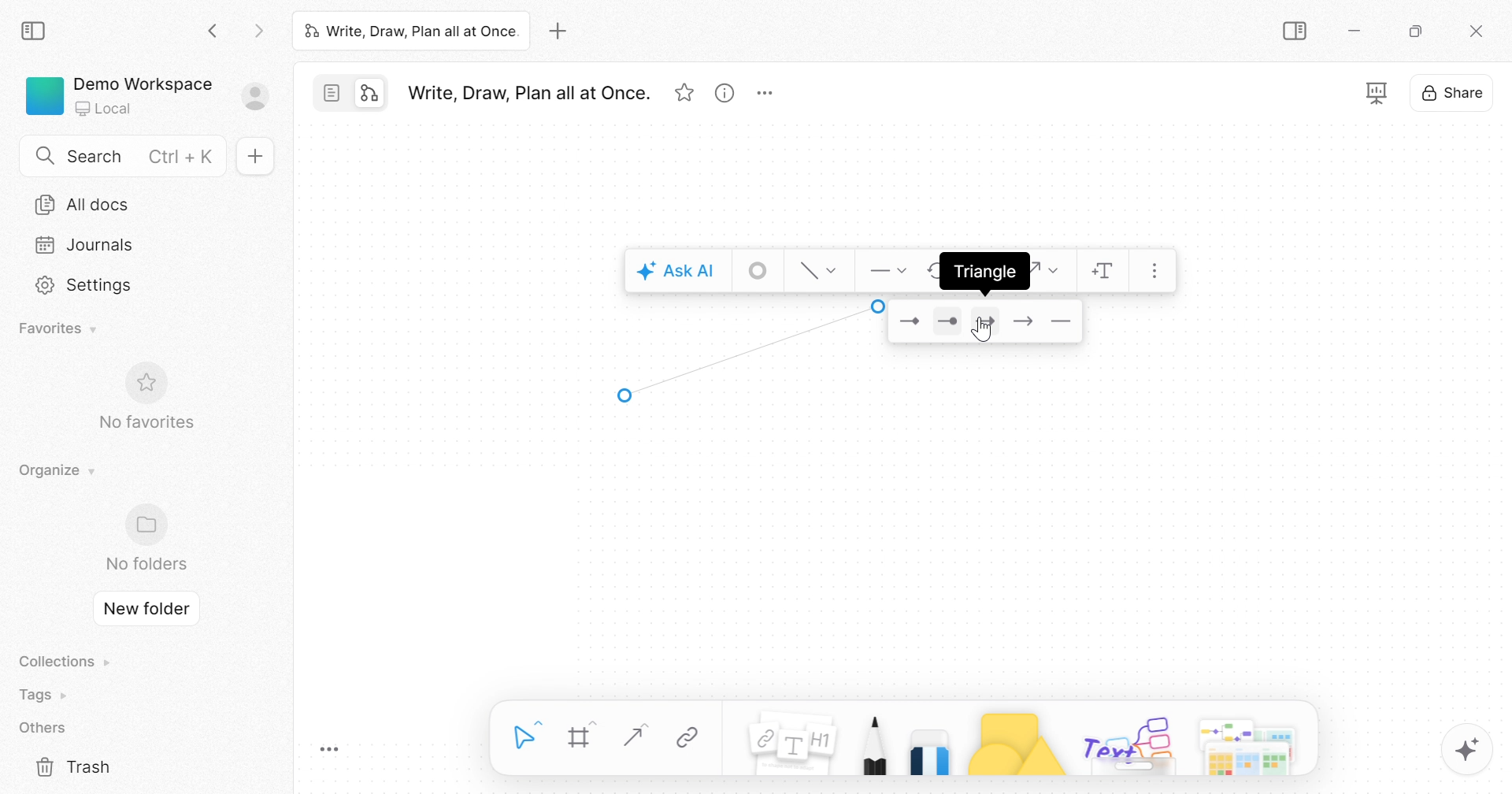 The height and width of the screenshot is (794, 1512). What do you see at coordinates (1453, 96) in the screenshot?
I see `Share` at bounding box center [1453, 96].